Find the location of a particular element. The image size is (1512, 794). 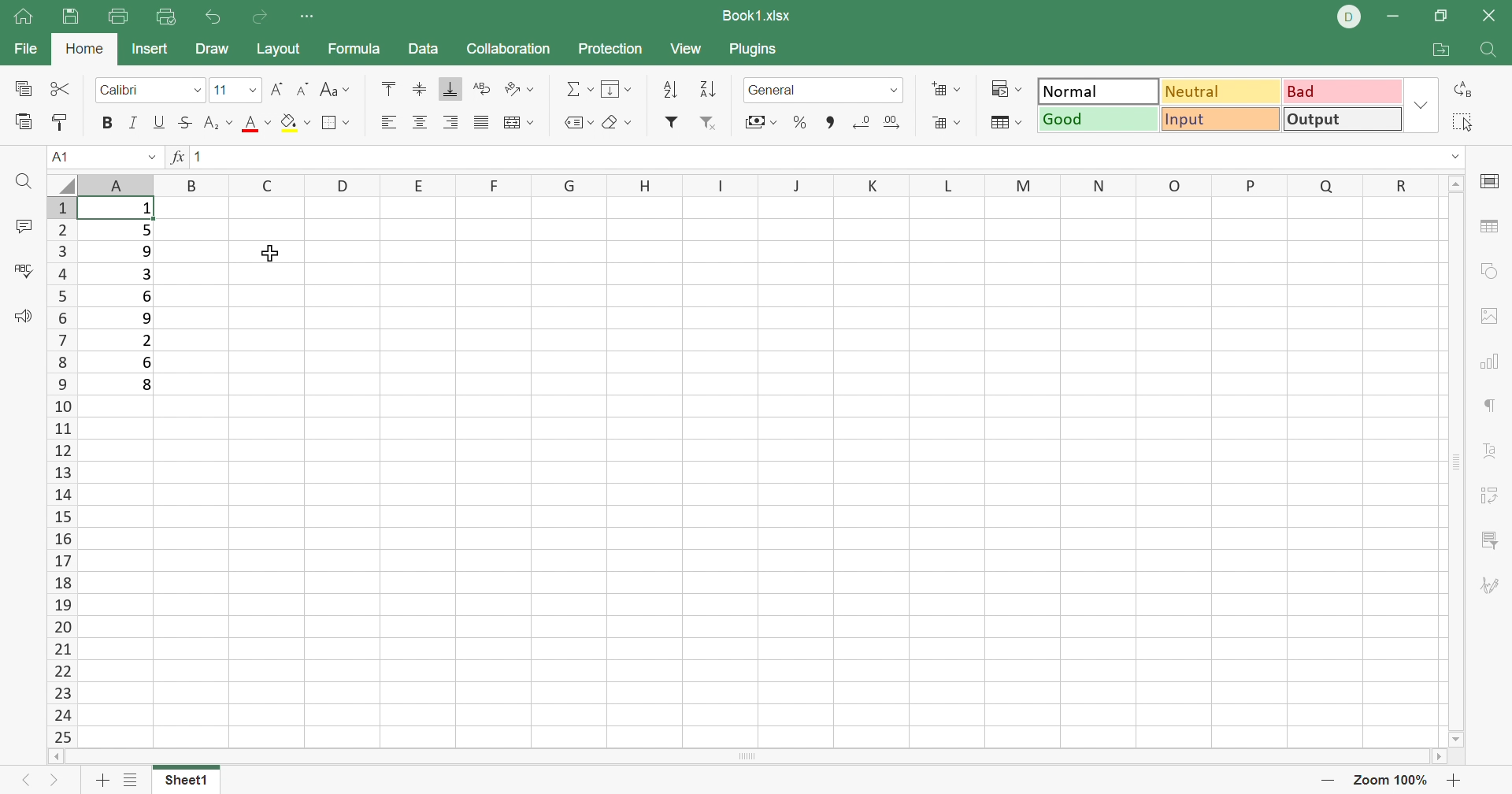

Justified is located at coordinates (481, 122).